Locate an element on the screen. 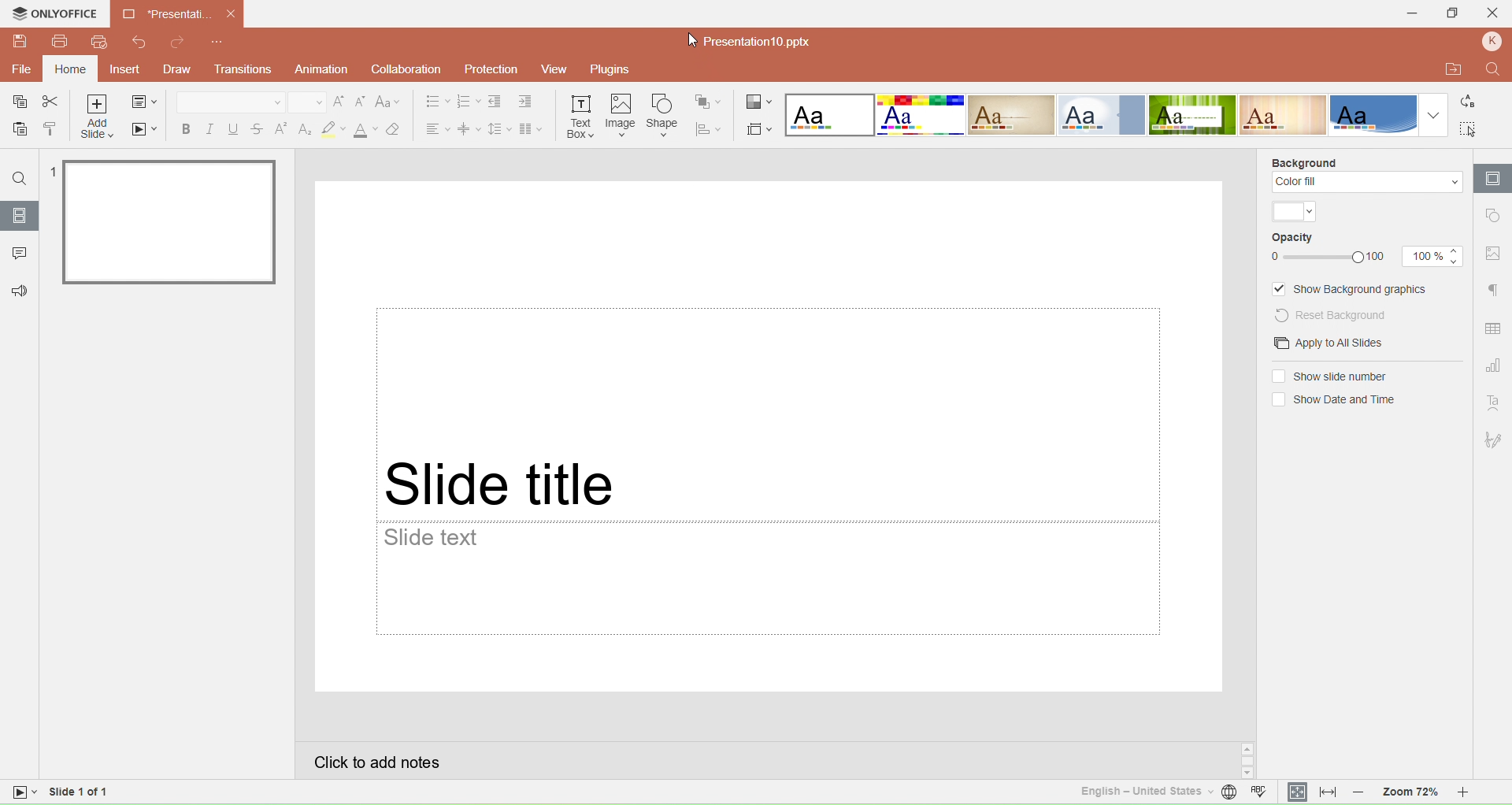 The height and width of the screenshot is (805, 1512). Superscript is located at coordinates (281, 128).